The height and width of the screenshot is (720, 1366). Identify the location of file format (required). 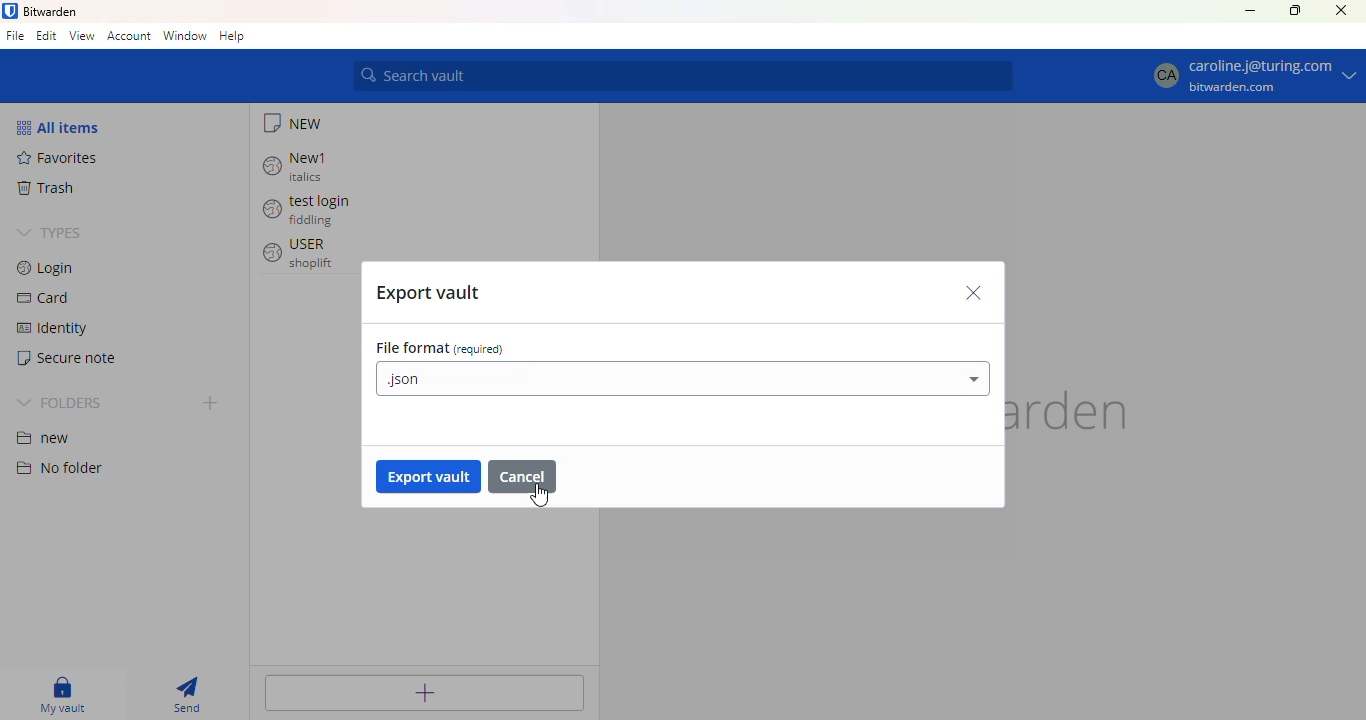
(441, 348).